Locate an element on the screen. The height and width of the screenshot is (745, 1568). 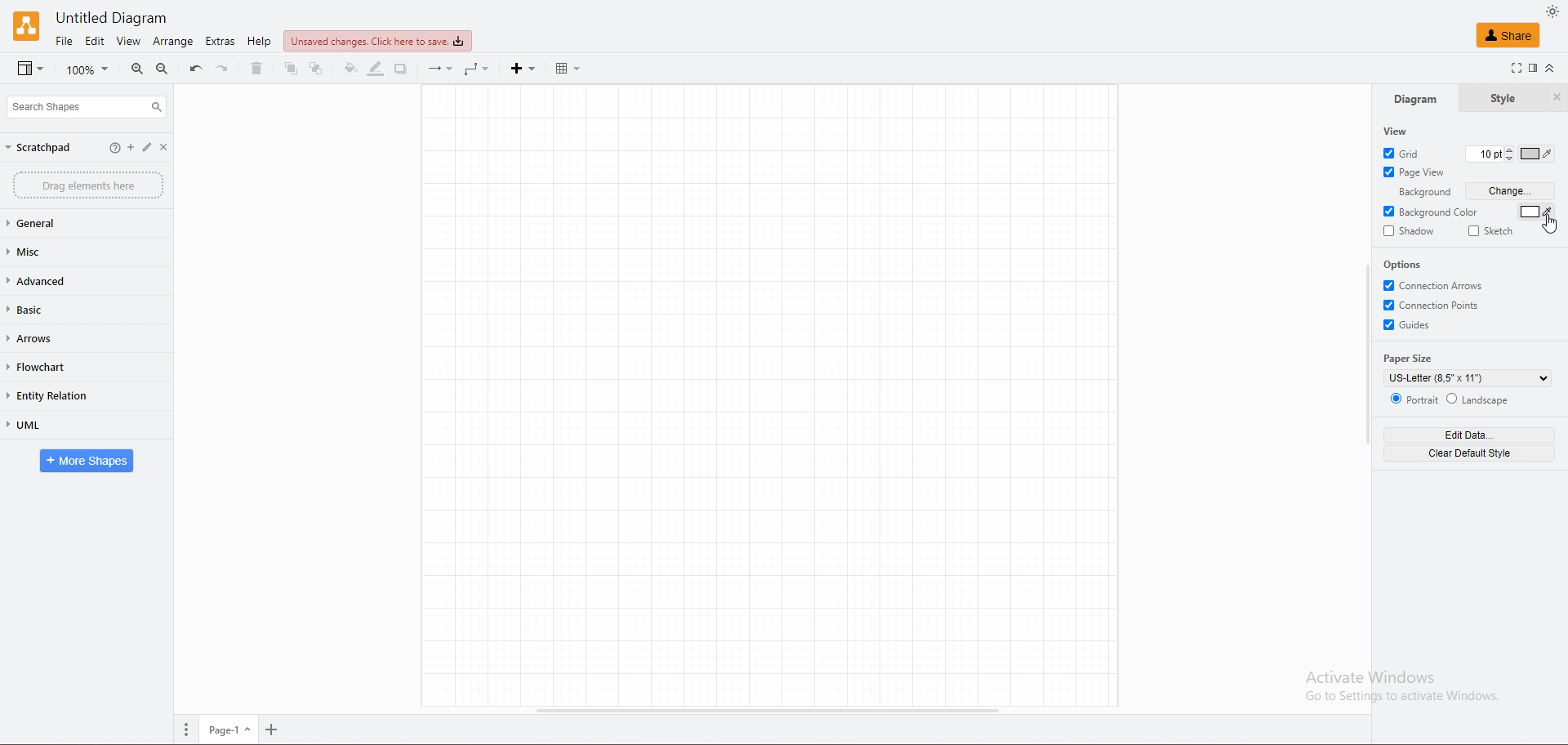
close  is located at coordinates (171, 148).